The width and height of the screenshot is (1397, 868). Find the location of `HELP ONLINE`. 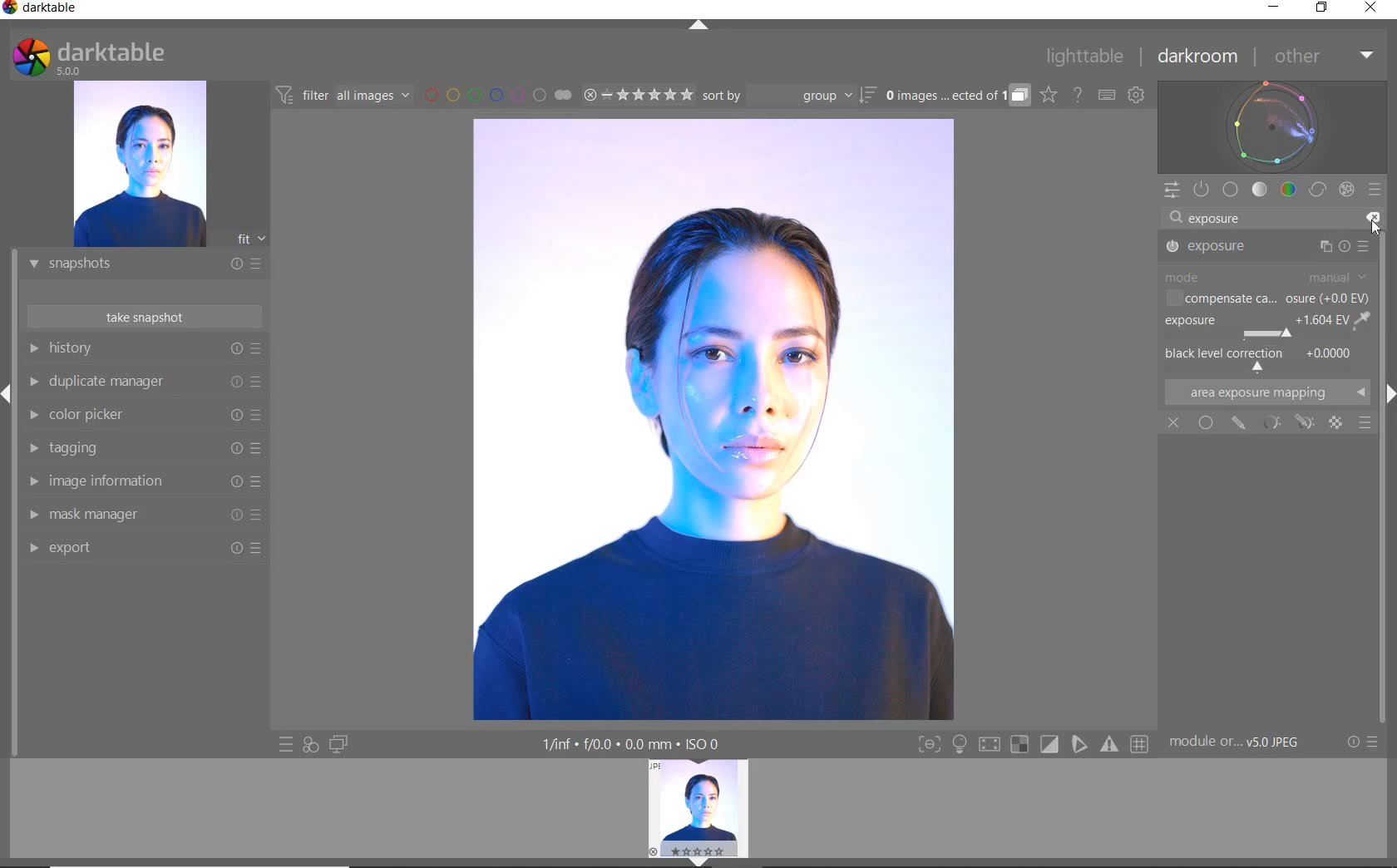

HELP ONLINE is located at coordinates (1078, 94).